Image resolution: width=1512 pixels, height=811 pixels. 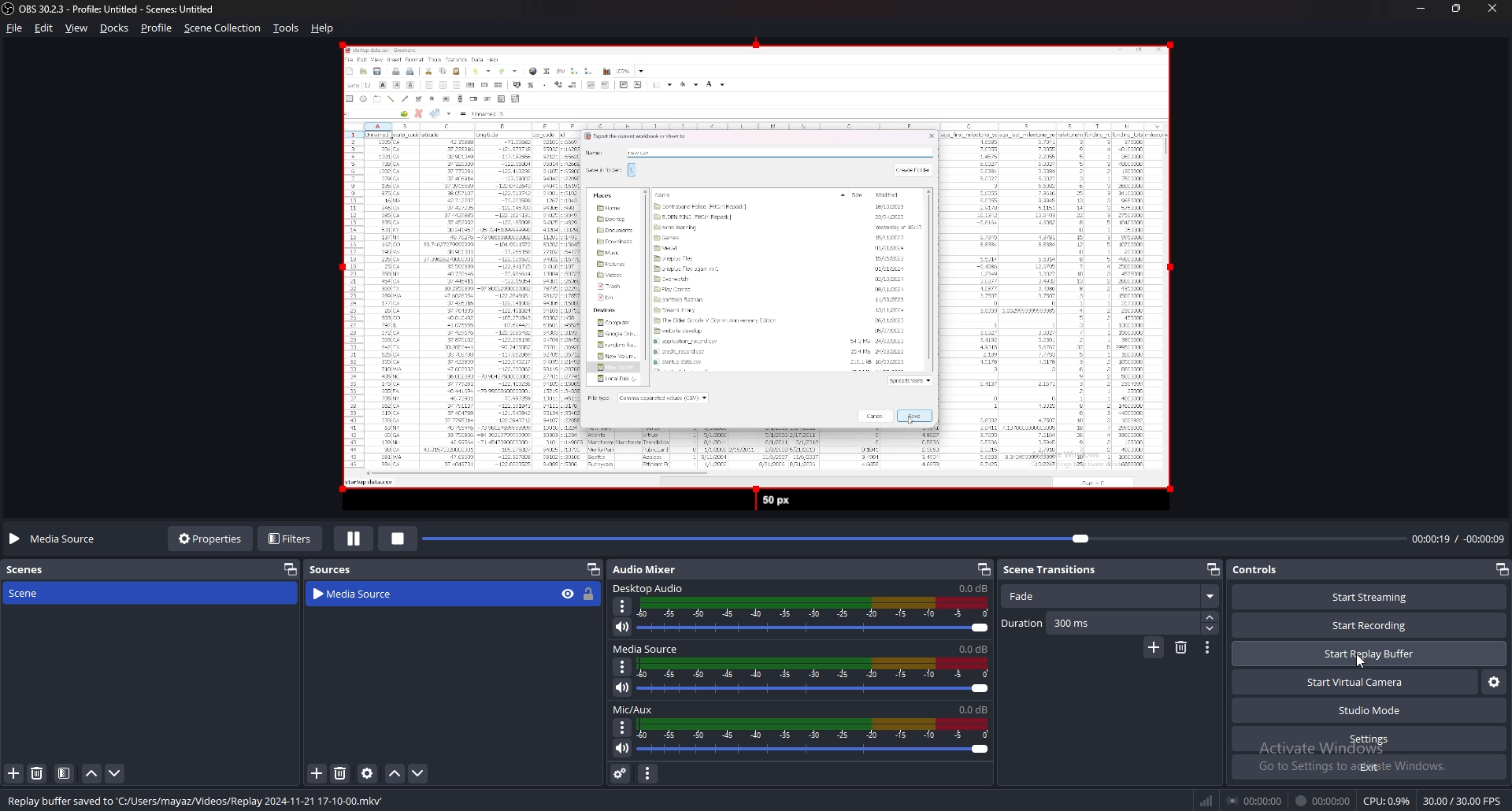 I want to click on options, so click(x=624, y=606).